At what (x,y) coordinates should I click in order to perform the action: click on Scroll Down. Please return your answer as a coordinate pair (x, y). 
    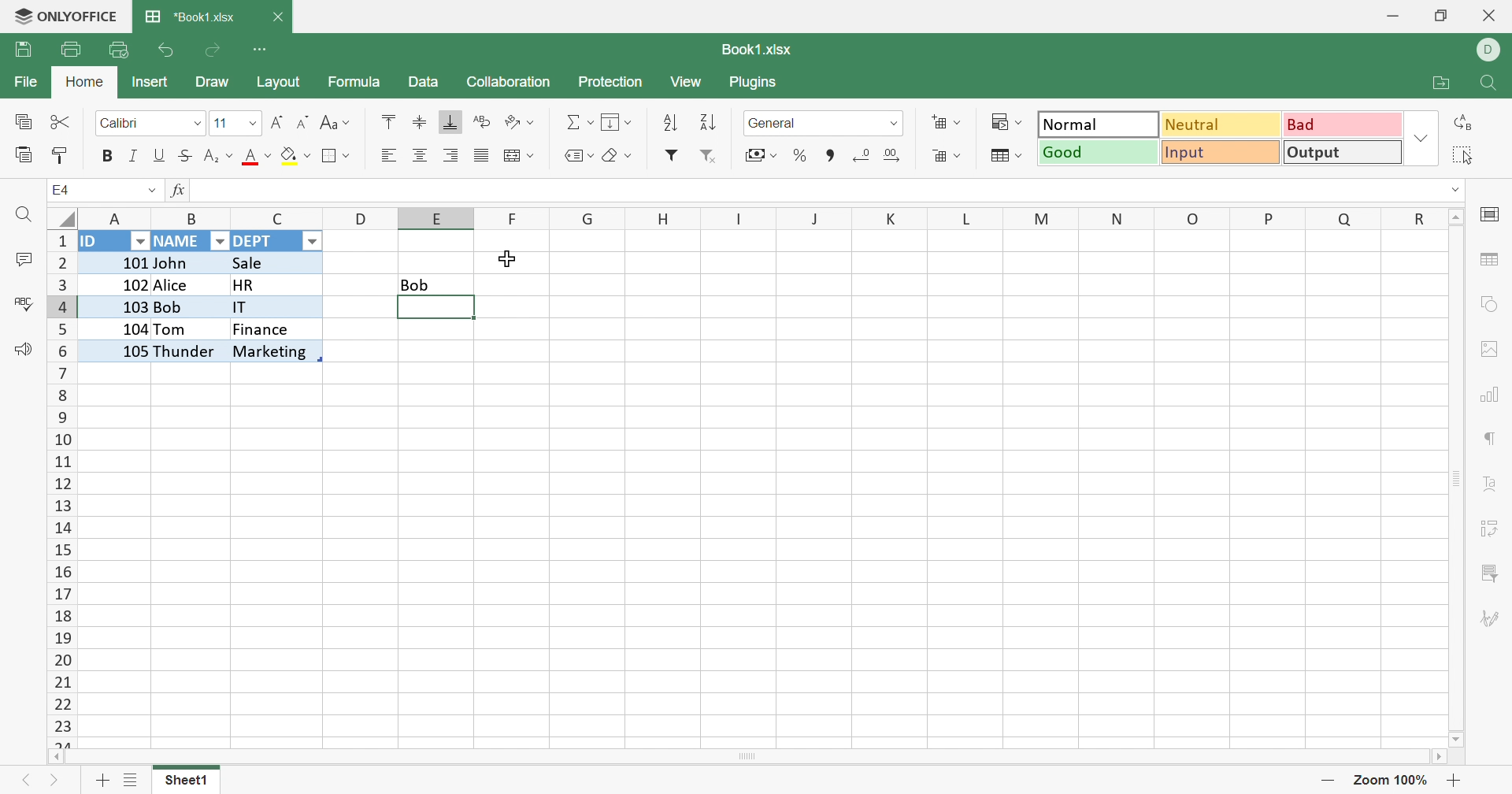
    Looking at the image, I should click on (1457, 736).